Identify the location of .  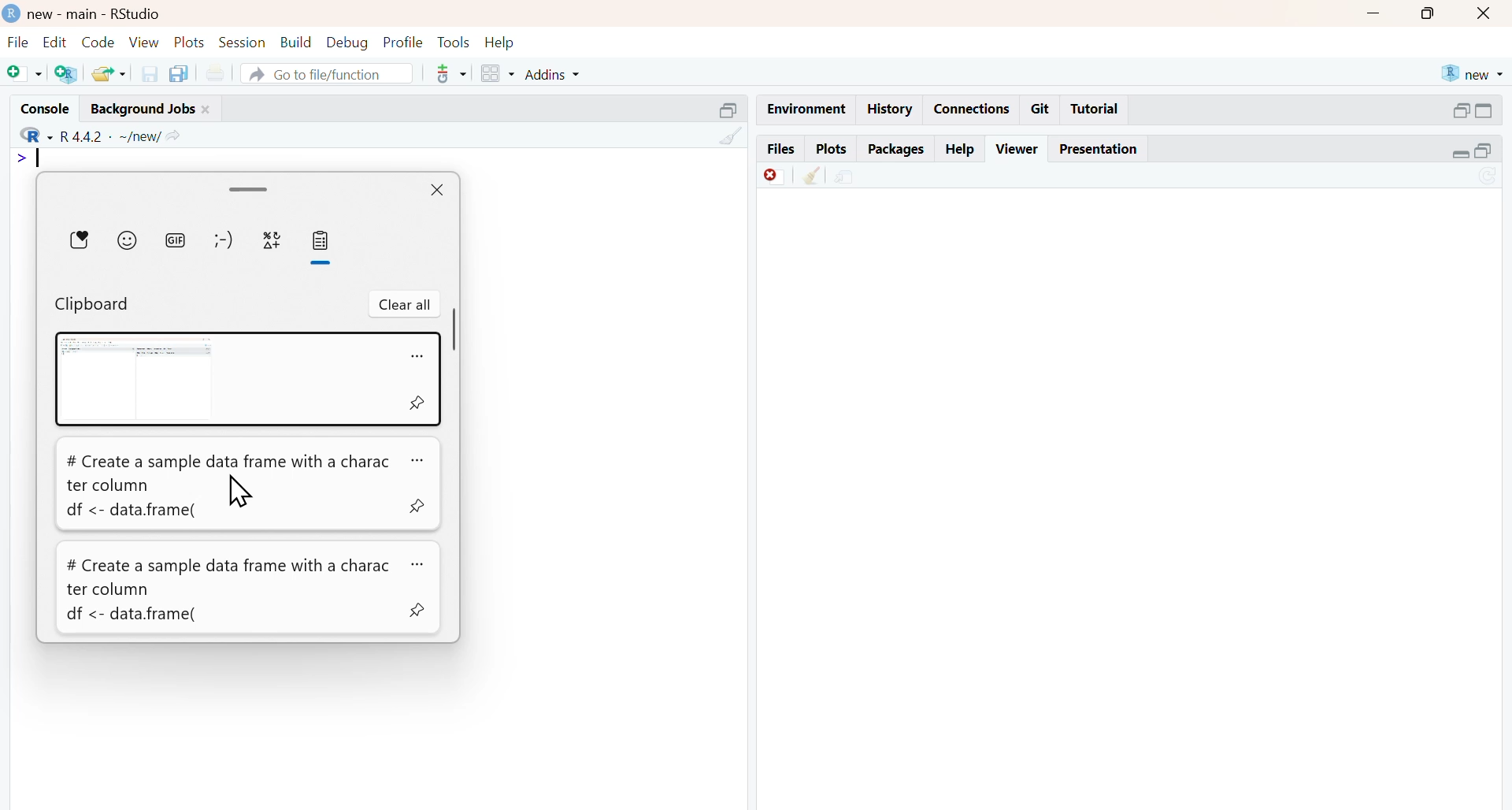
(730, 111).